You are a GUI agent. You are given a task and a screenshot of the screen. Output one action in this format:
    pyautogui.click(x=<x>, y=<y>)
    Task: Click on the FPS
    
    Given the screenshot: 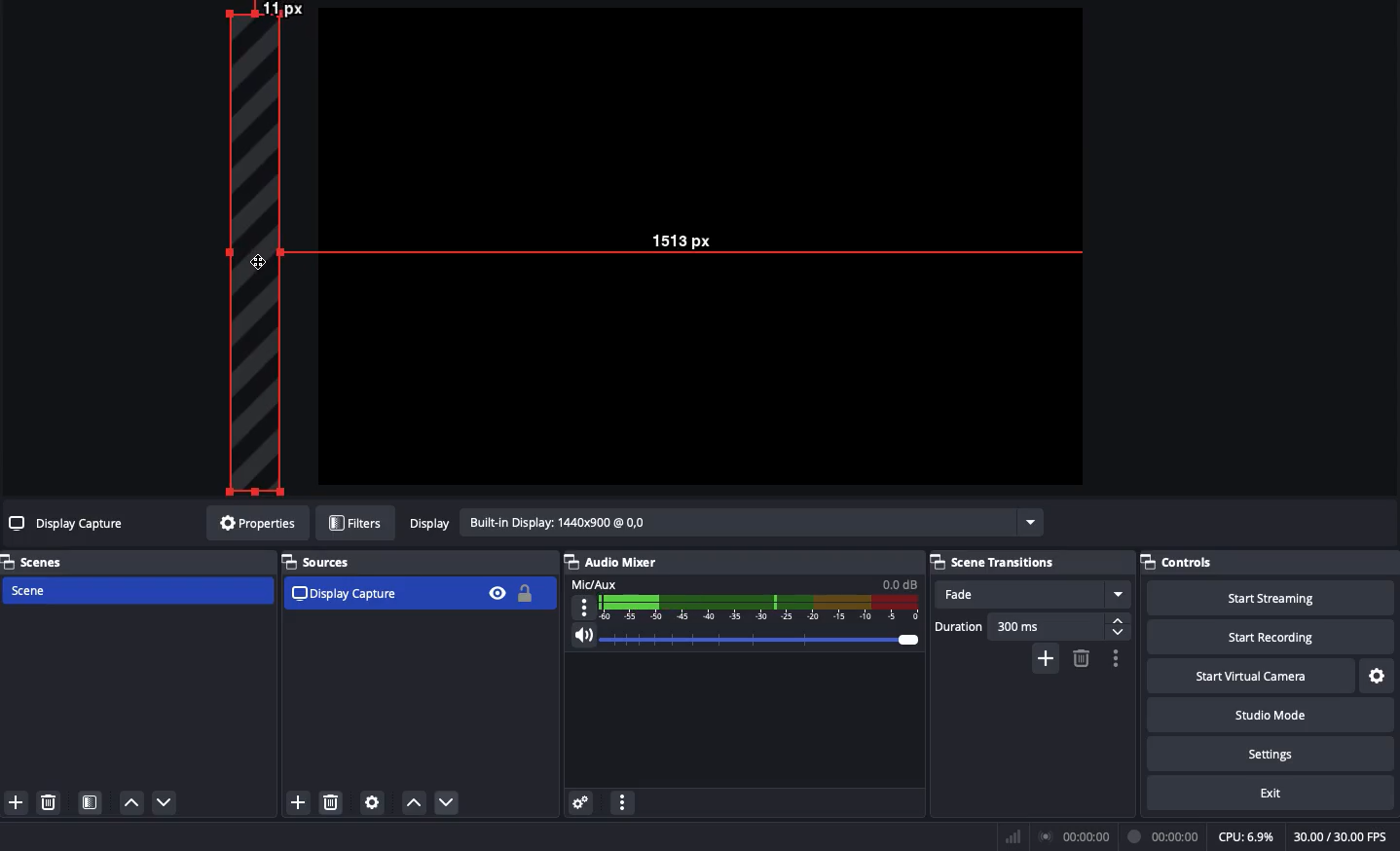 What is the action you would take?
    pyautogui.click(x=1346, y=836)
    